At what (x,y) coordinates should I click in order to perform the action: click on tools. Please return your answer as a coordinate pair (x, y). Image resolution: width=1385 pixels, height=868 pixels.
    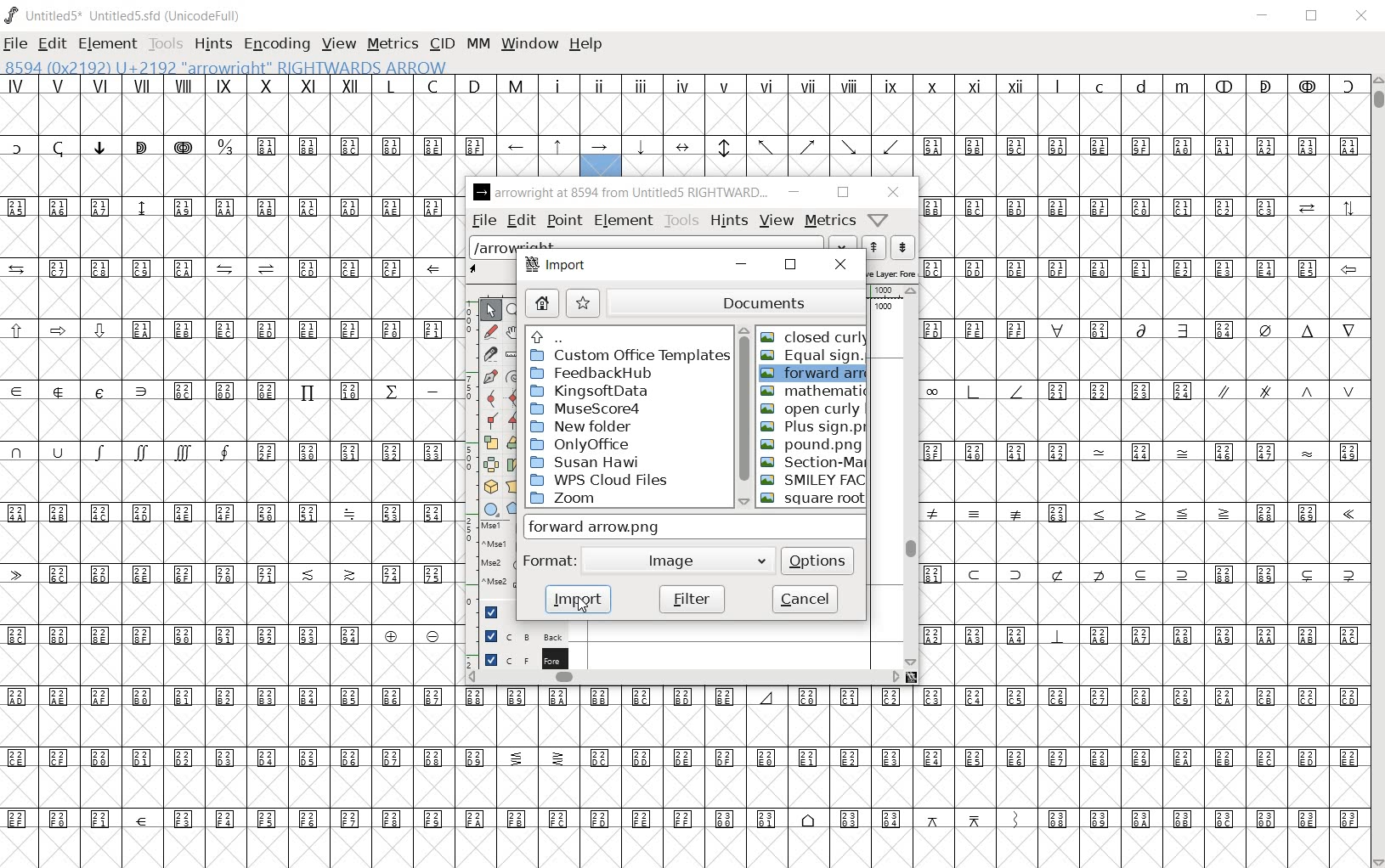
    Looking at the image, I should click on (682, 220).